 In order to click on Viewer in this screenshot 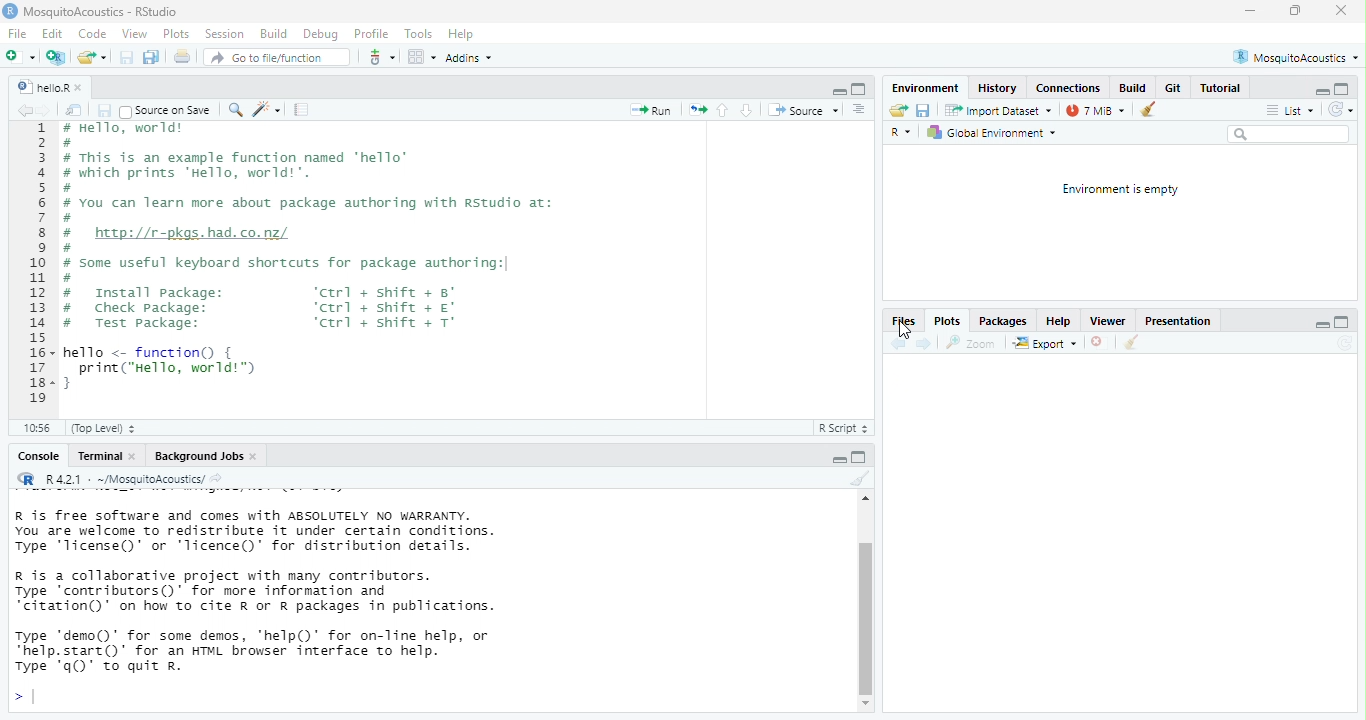, I will do `click(1107, 319)`.